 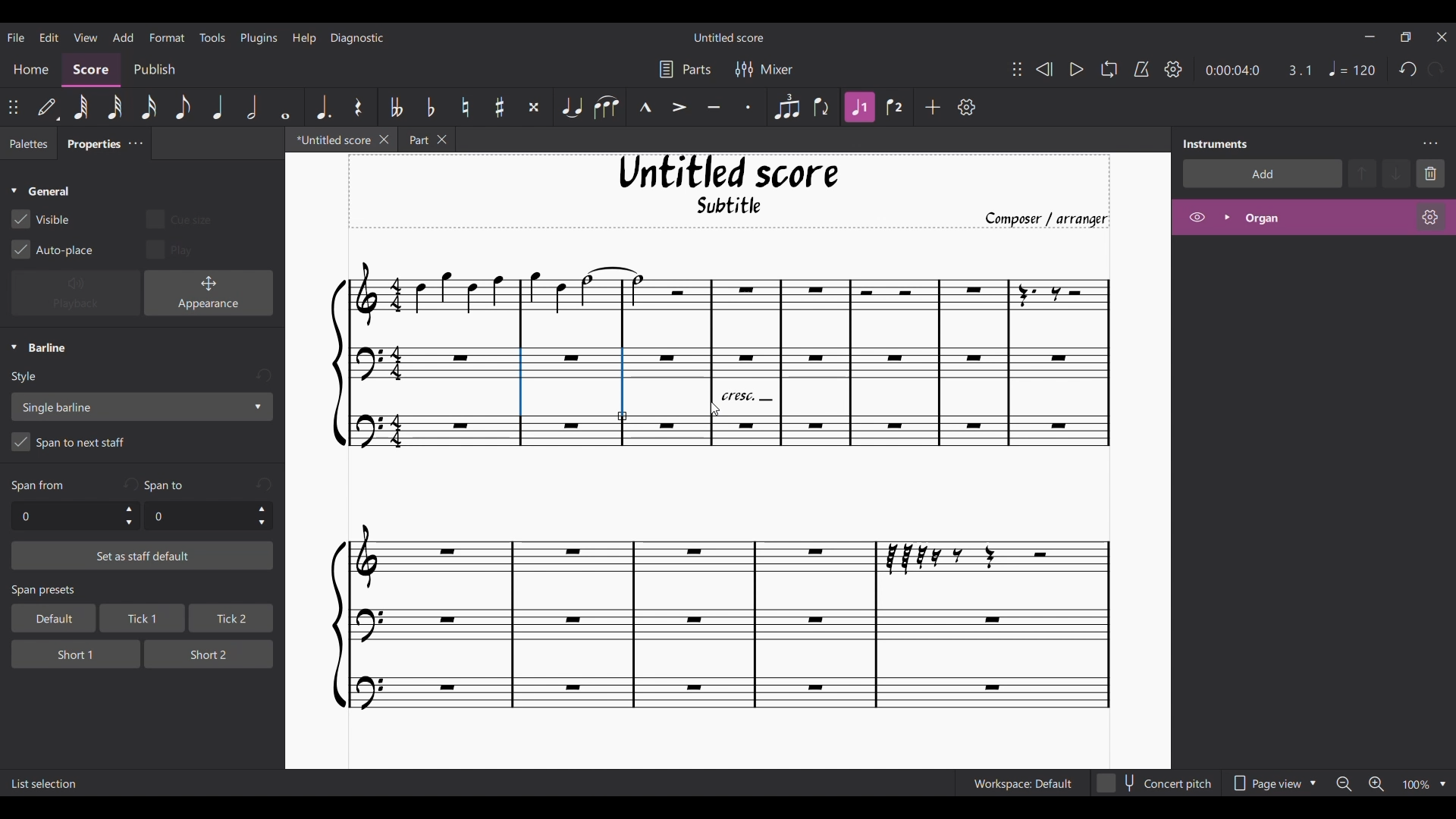 What do you see at coordinates (1443, 784) in the screenshot?
I see `Zoom options` at bounding box center [1443, 784].